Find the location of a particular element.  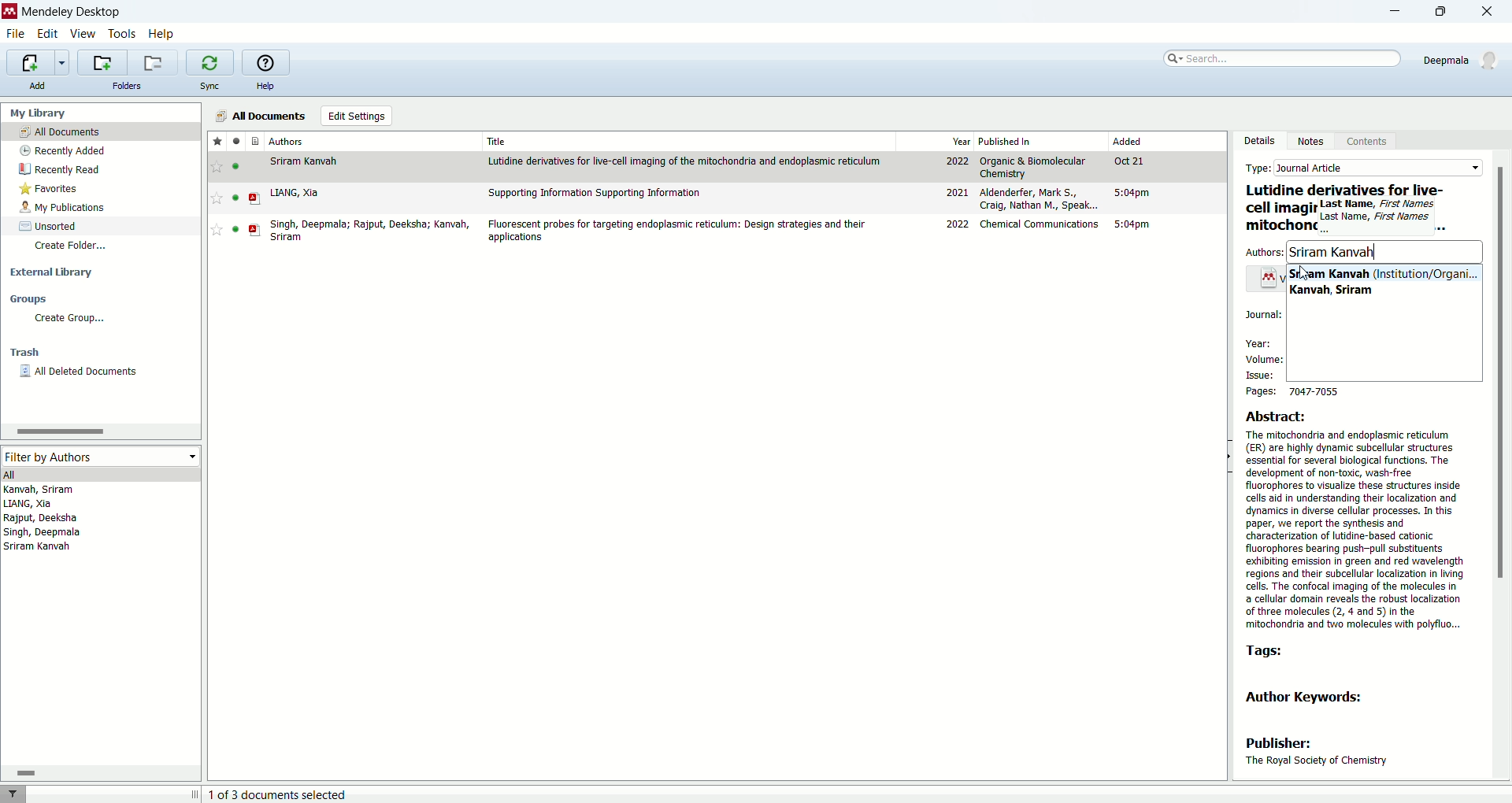

authors is located at coordinates (287, 139).